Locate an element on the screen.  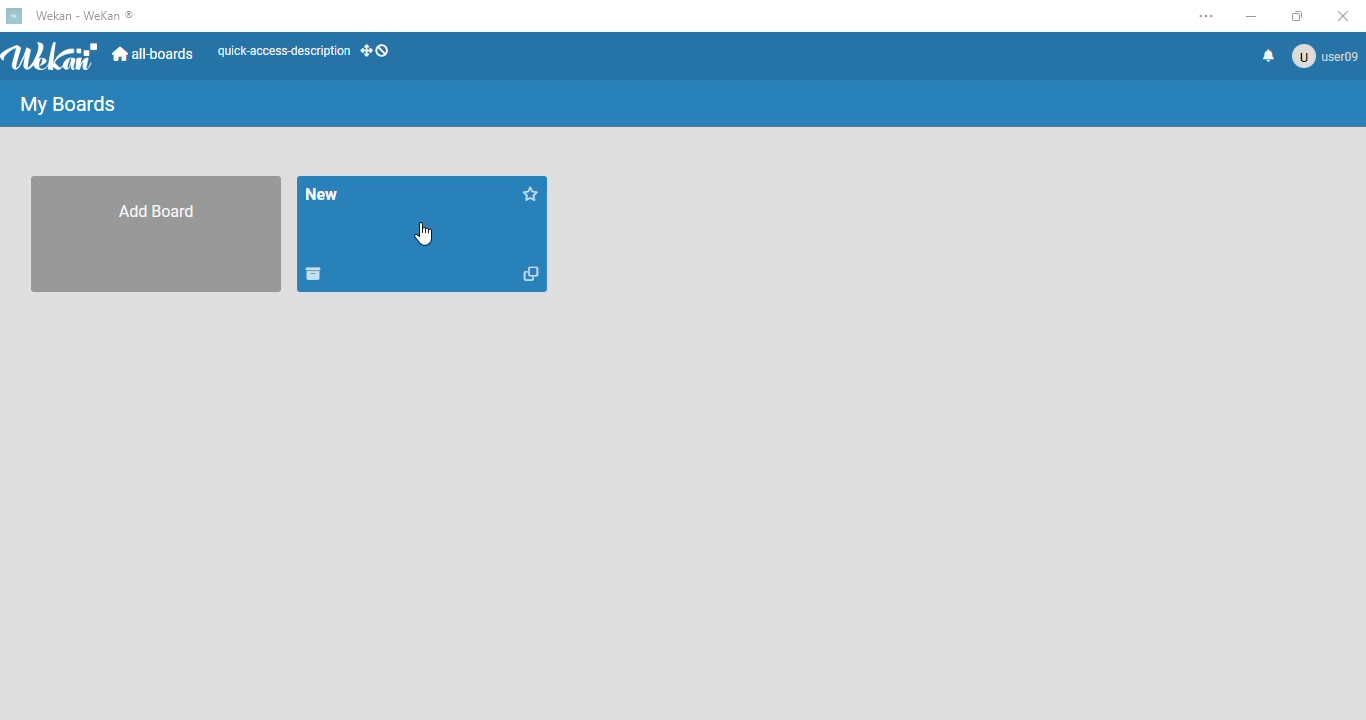
move to archive is located at coordinates (313, 274).